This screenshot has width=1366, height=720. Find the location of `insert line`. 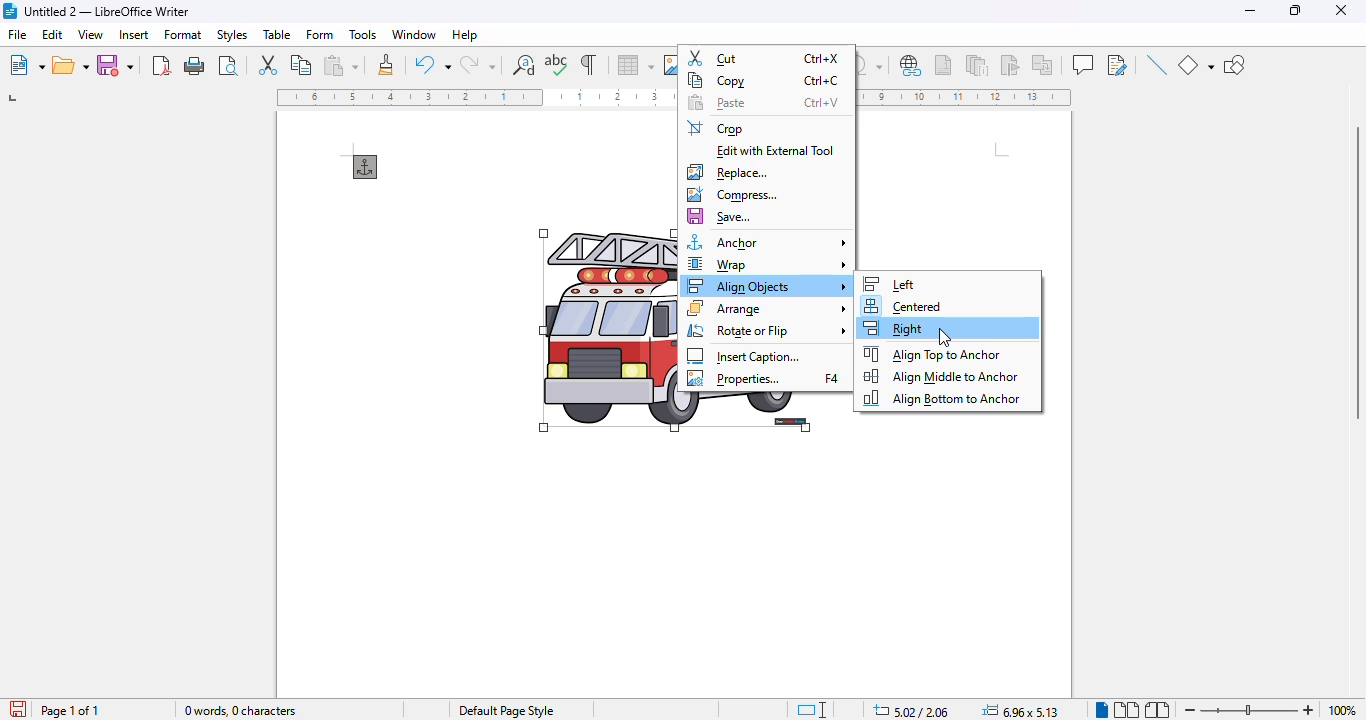

insert line is located at coordinates (1156, 64).